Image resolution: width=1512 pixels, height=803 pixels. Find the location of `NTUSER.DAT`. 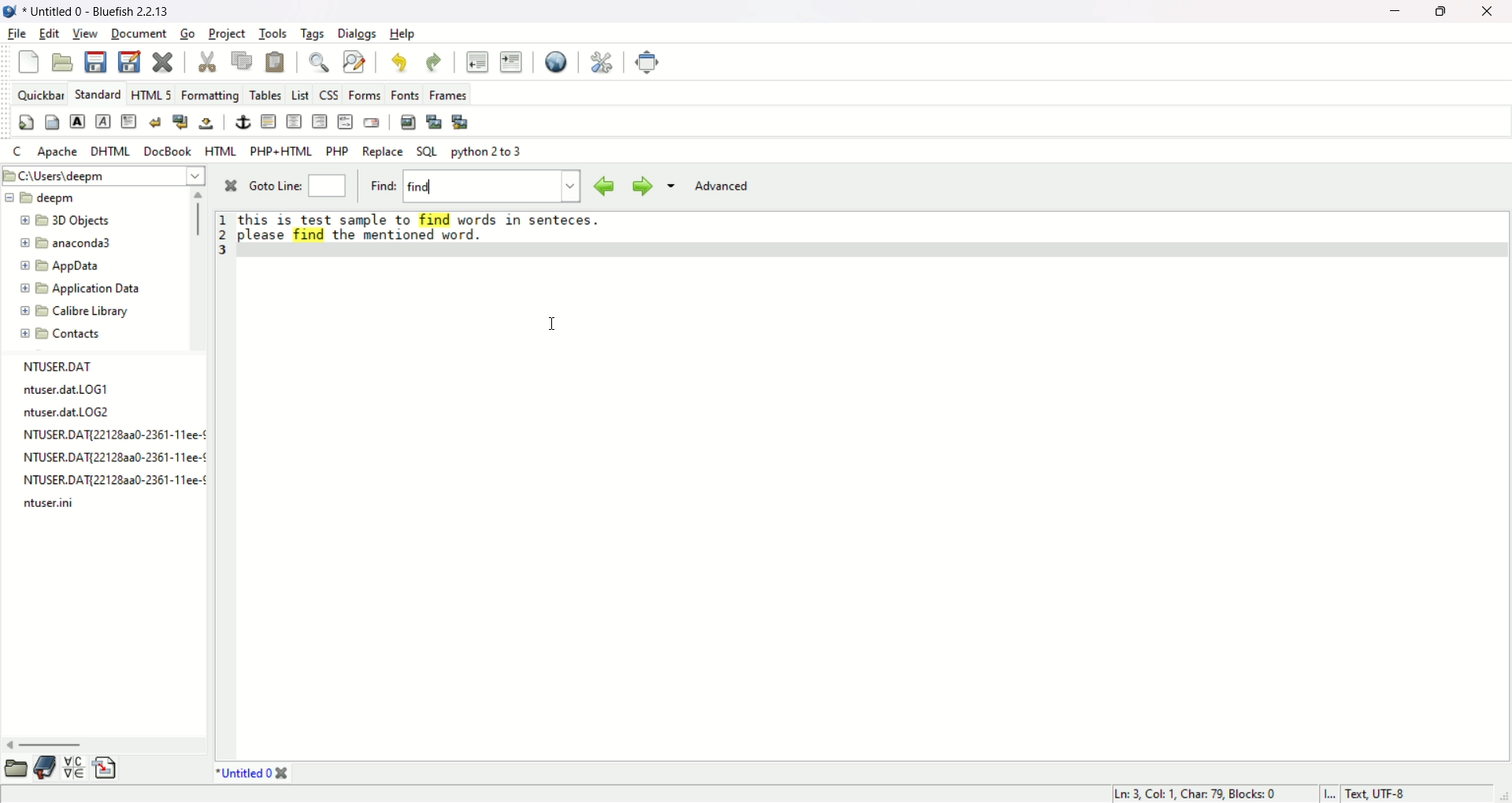

NTUSER.DAT is located at coordinates (62, 365).